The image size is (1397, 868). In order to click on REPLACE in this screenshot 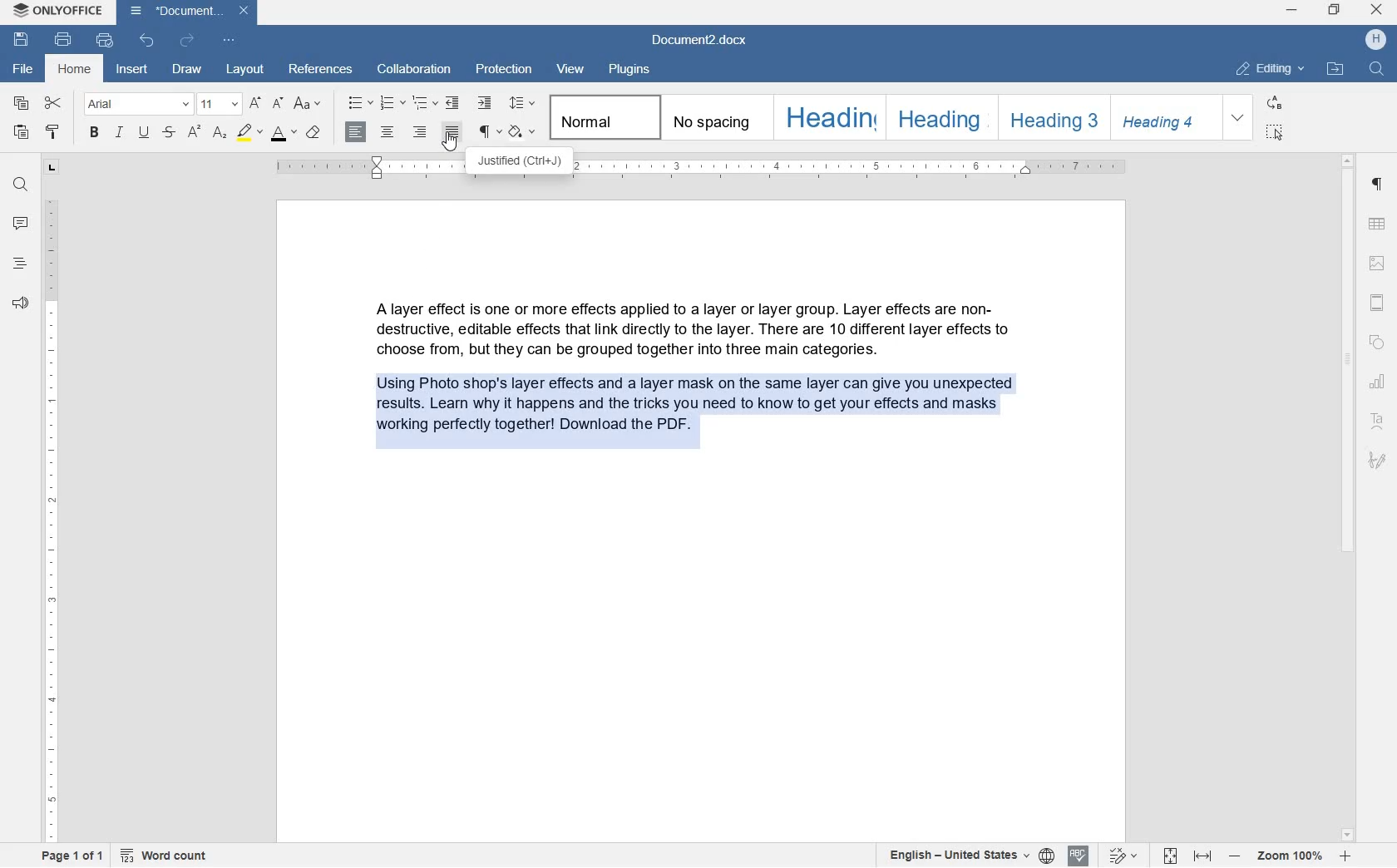, I will do `click(1275, 101)`.